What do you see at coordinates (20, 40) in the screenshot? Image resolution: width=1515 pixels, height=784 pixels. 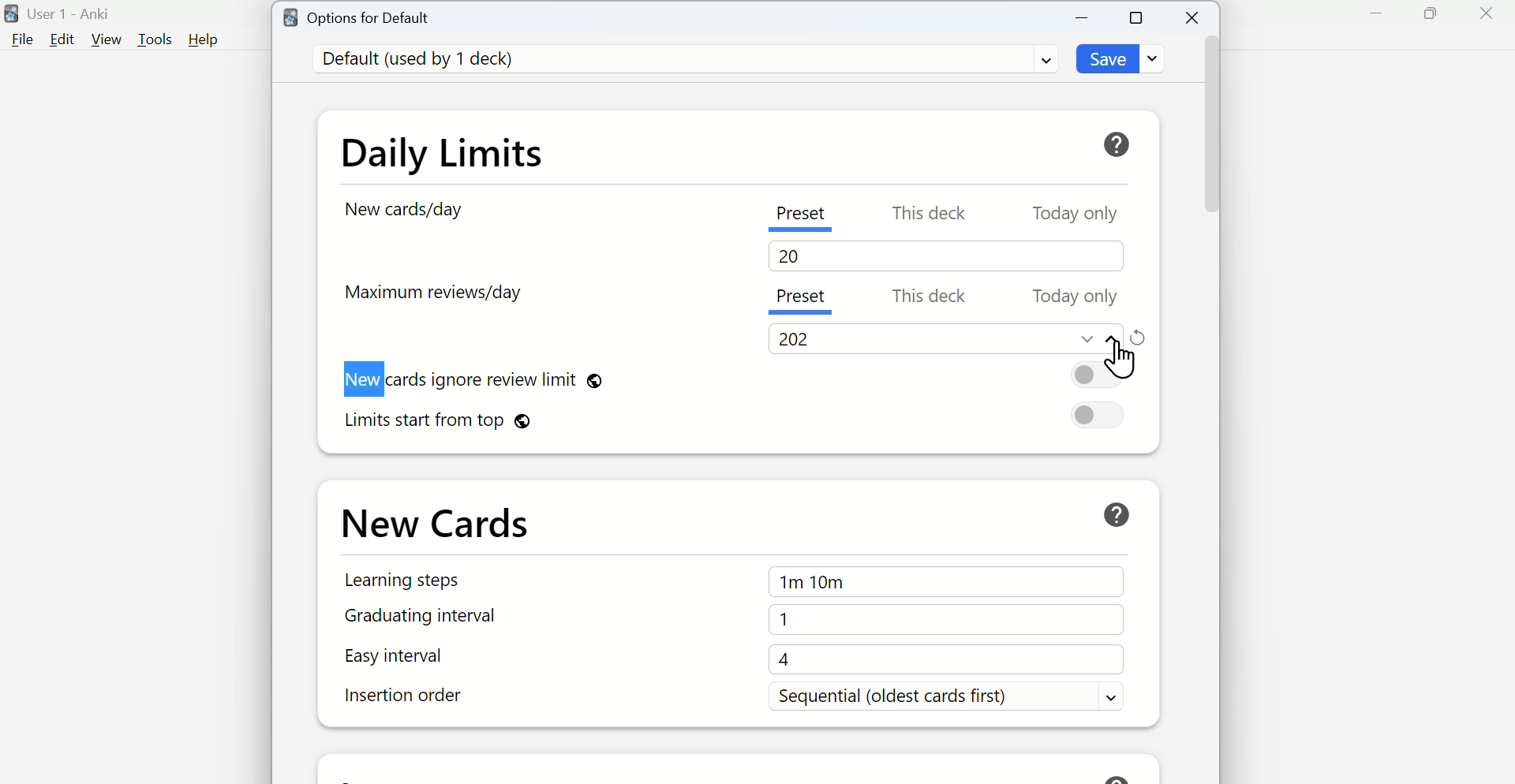 I see `File` at bounding box center [20, 40].